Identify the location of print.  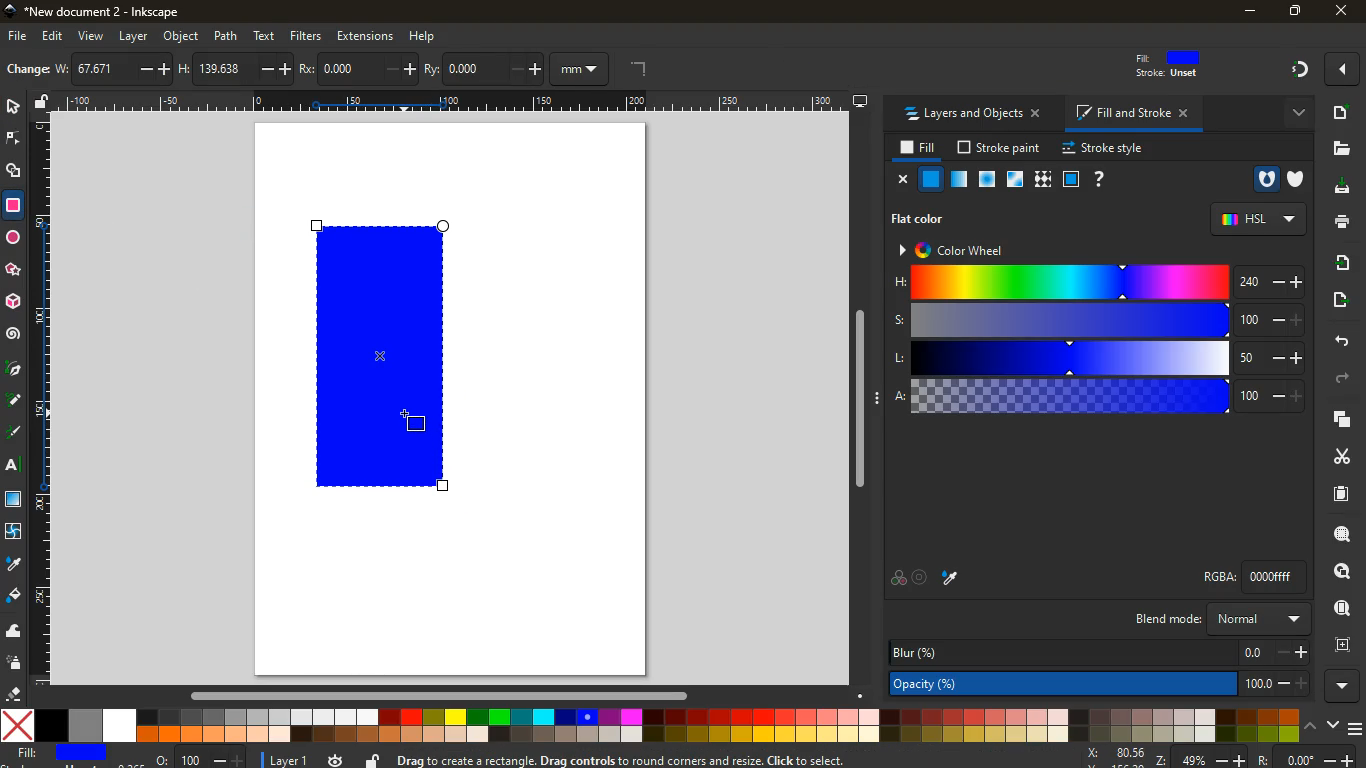
(1340, 222).